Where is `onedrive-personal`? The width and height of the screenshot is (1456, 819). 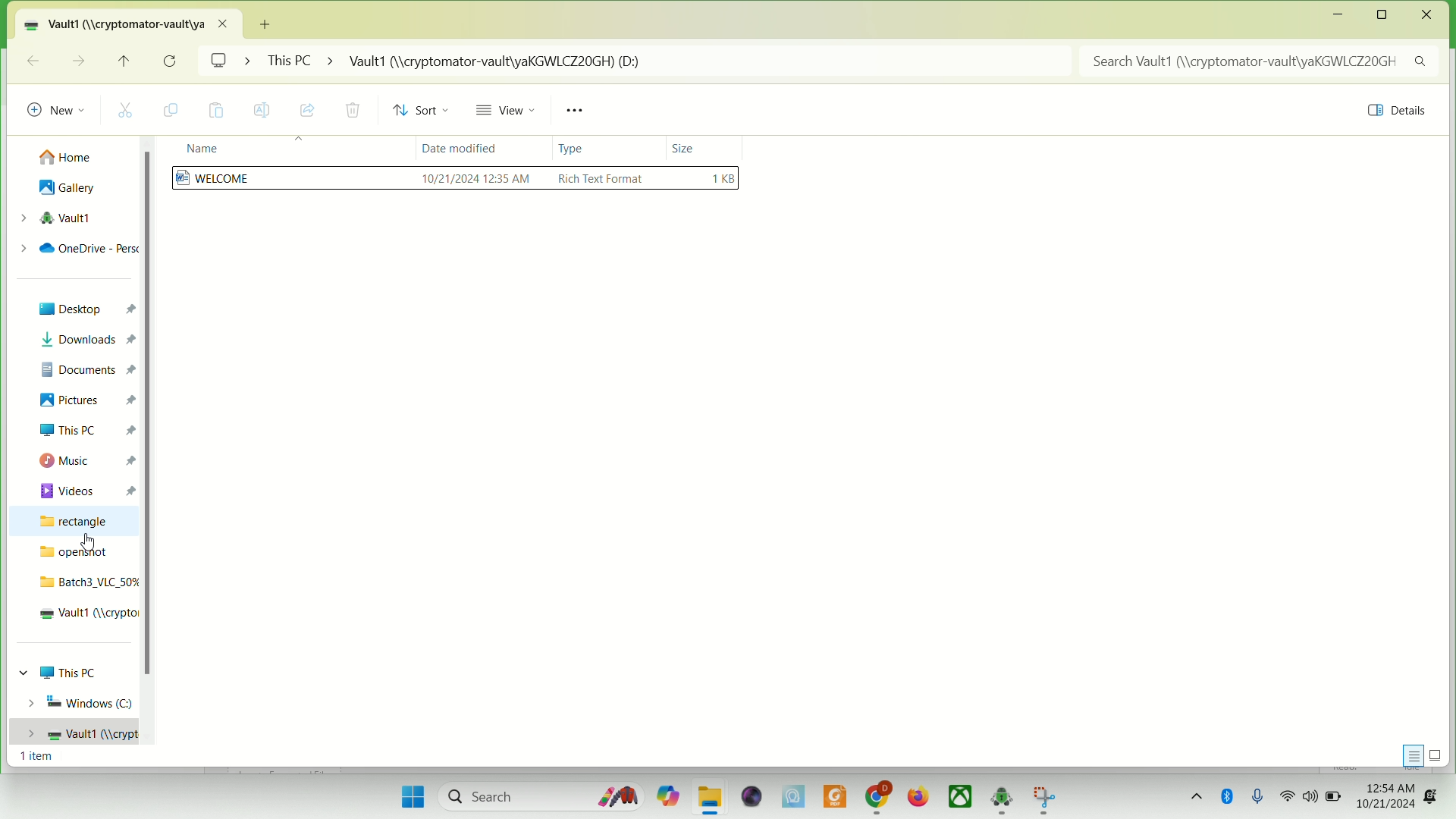
onedrive-personal is located at coordinates (74, 247).